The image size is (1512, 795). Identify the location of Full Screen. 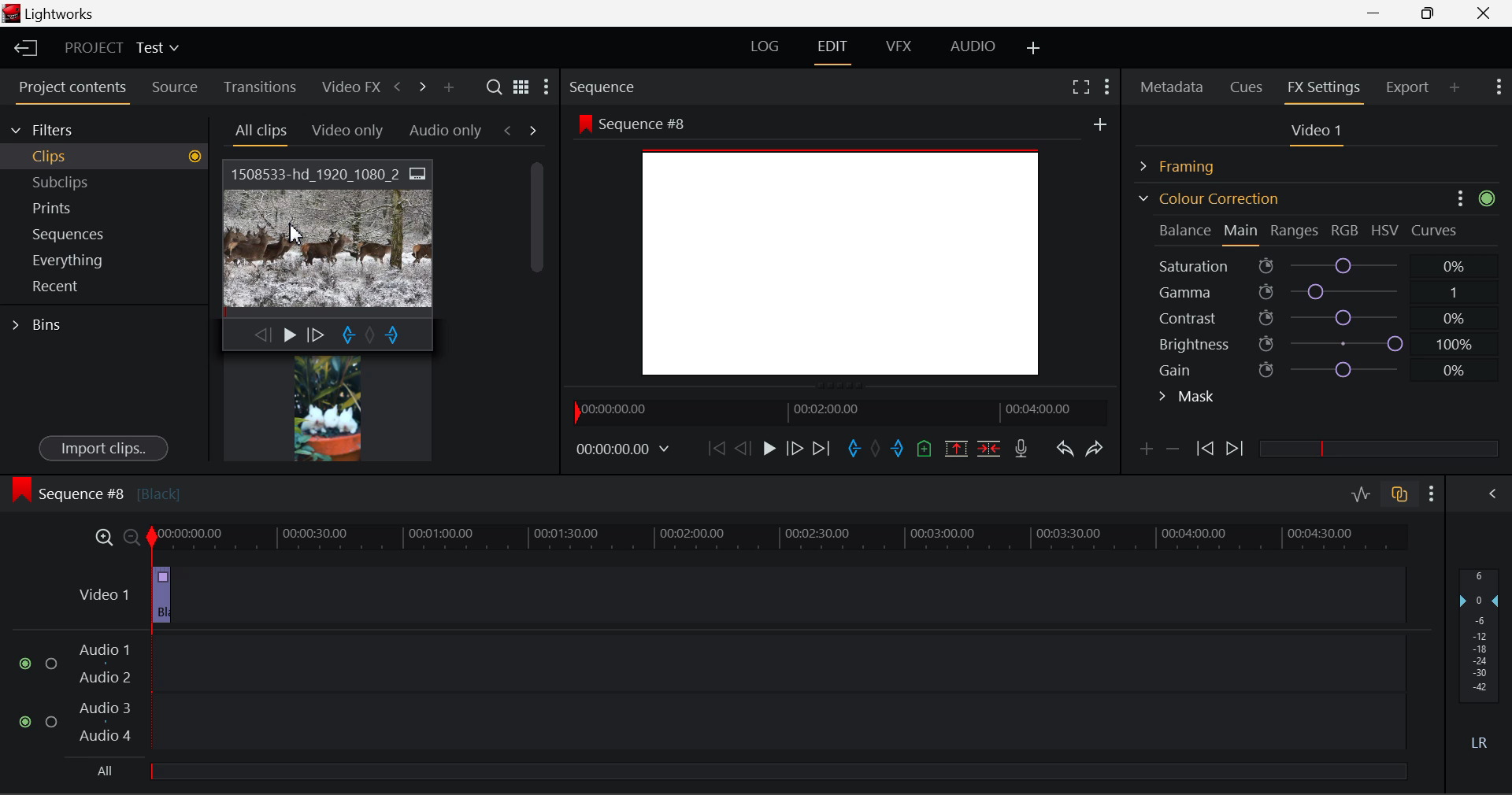
(1080, 86).